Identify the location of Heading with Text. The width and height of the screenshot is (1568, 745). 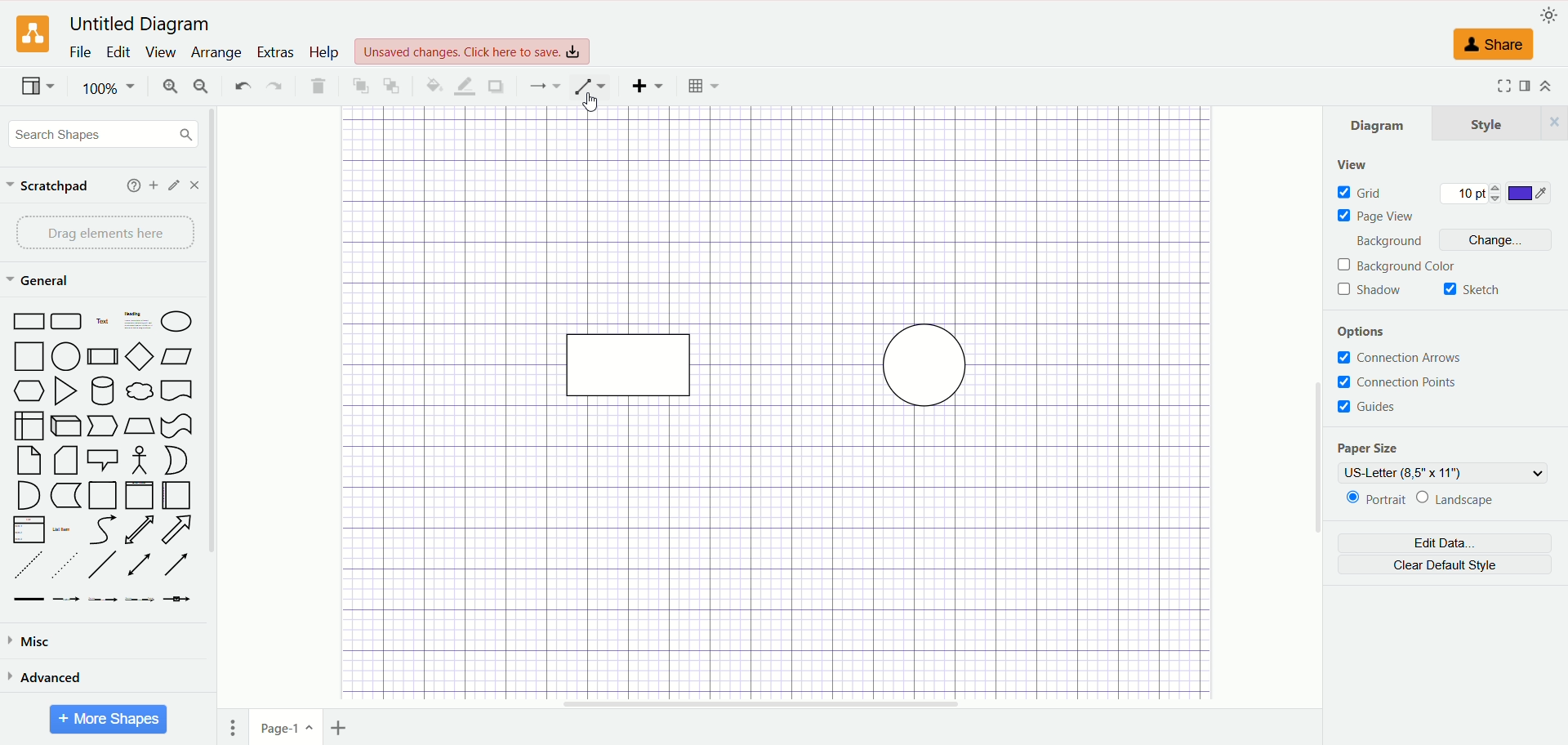
(139, 323).